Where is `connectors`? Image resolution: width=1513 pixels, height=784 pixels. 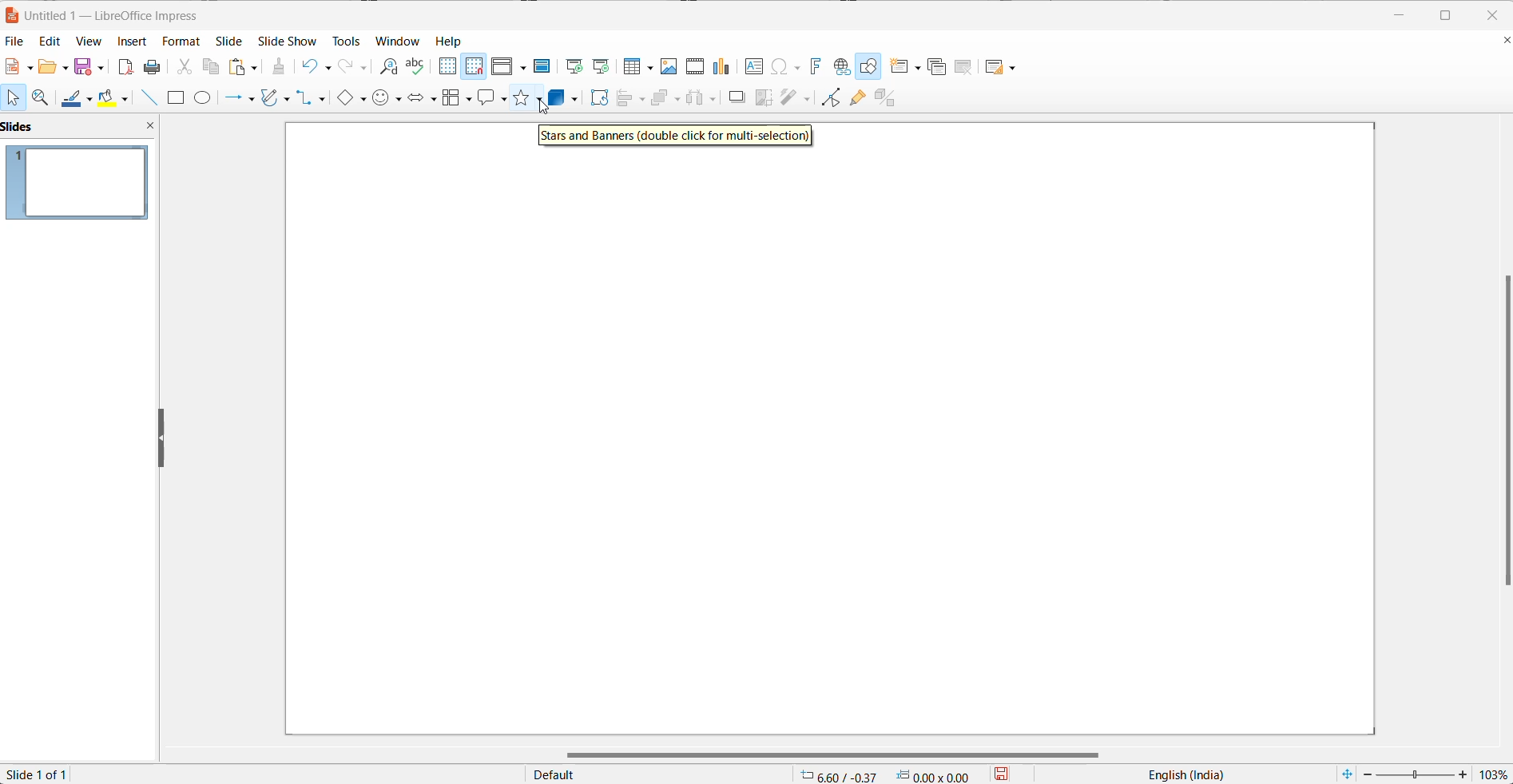
connectors is located at coordinates (316, 99).